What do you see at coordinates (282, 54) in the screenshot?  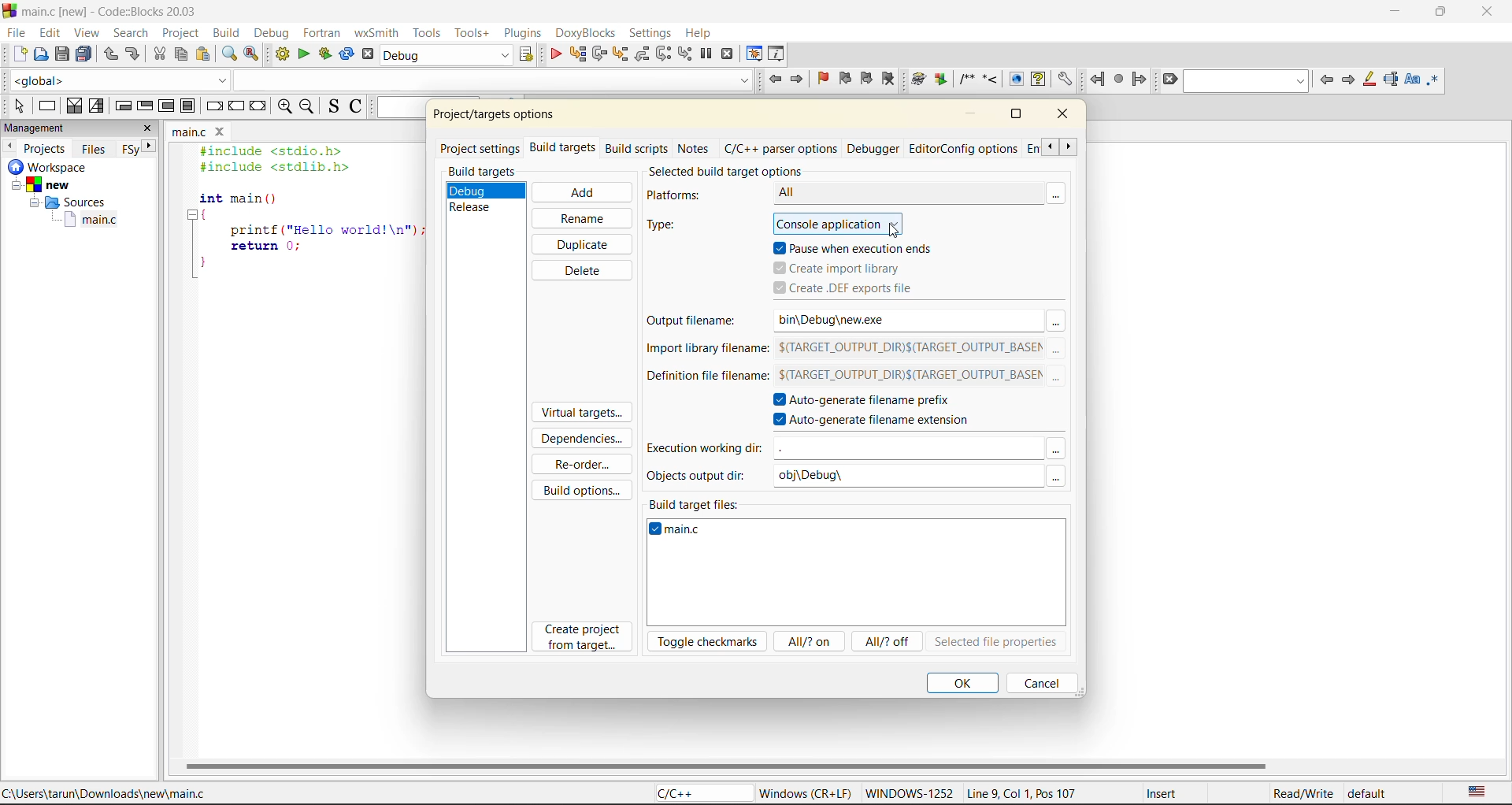 I see `build` at bounding box center [282, 54].